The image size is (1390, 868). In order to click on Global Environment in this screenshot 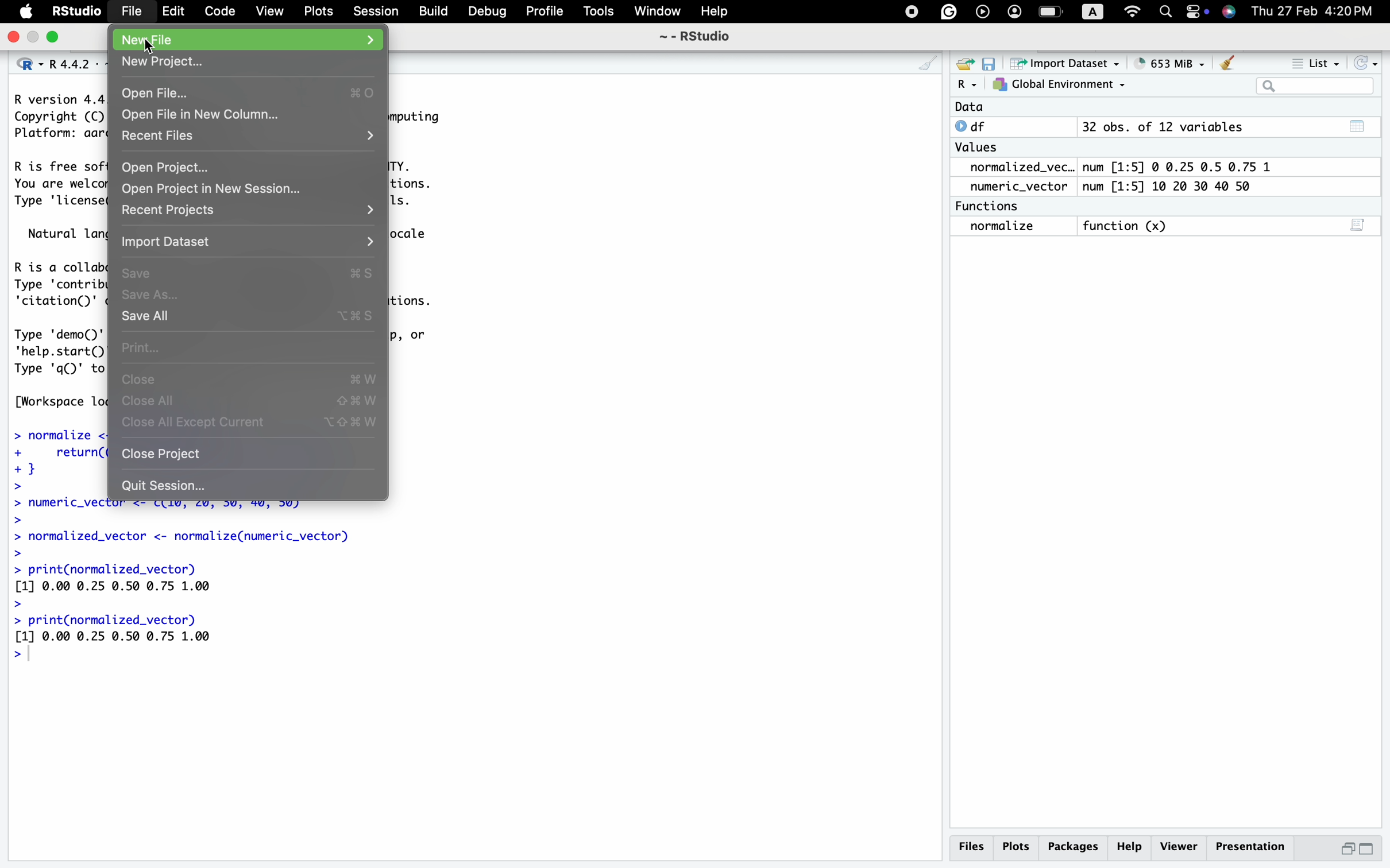, I will do `click(1060, 85)`.